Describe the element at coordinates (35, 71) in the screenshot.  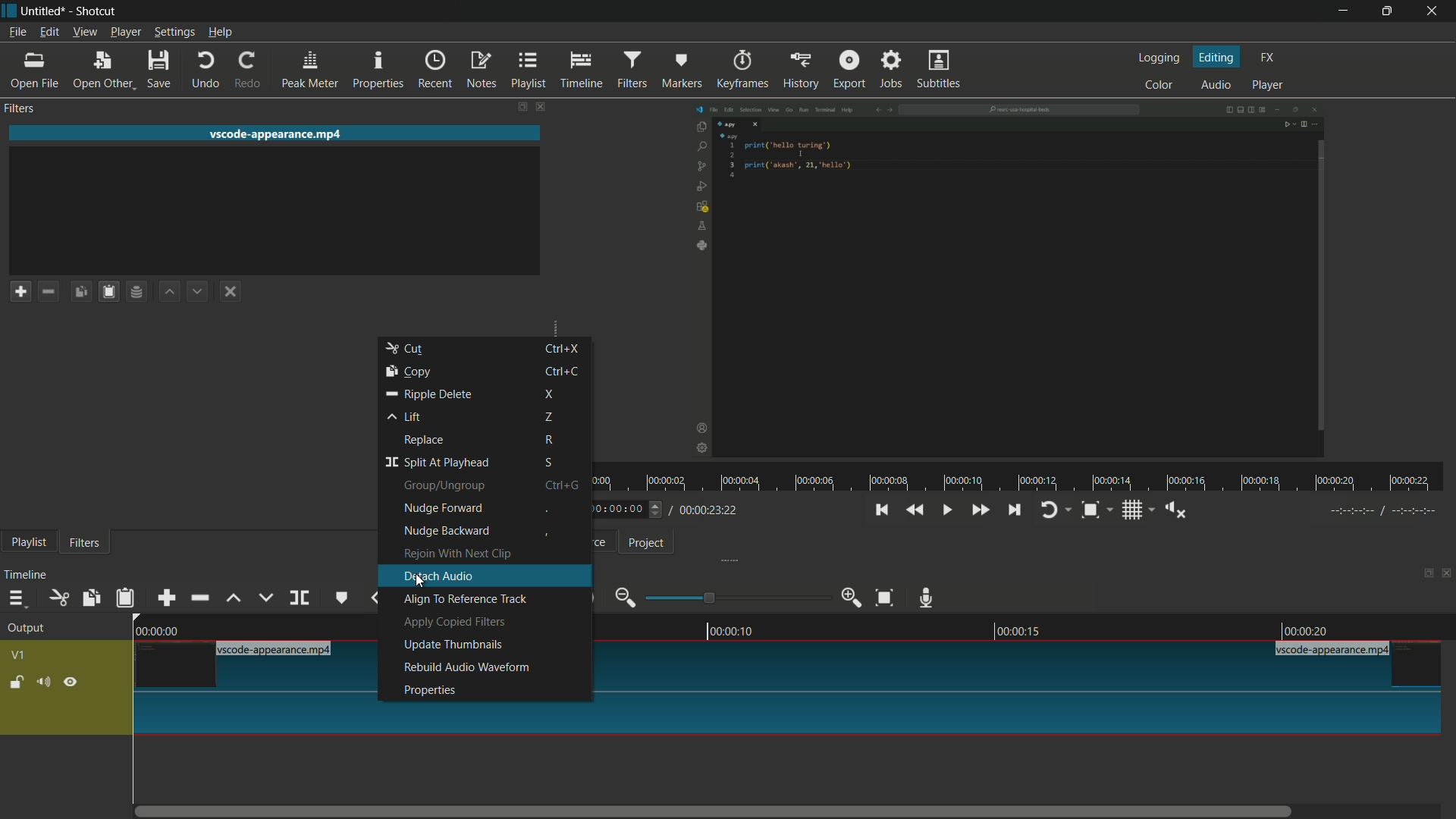
I see `open file` at that location.